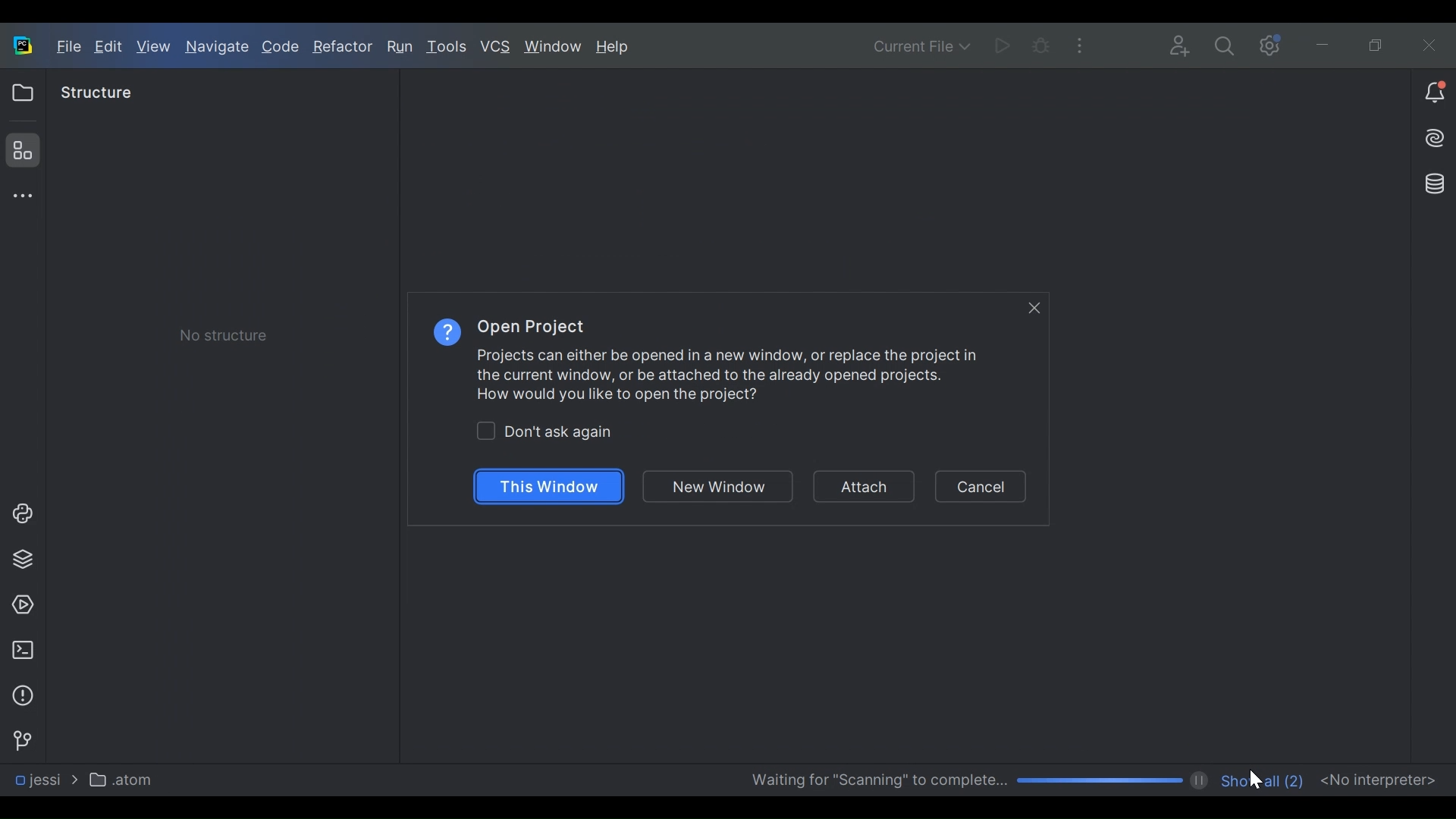  I want to click on Refractor, so click(342, 48).